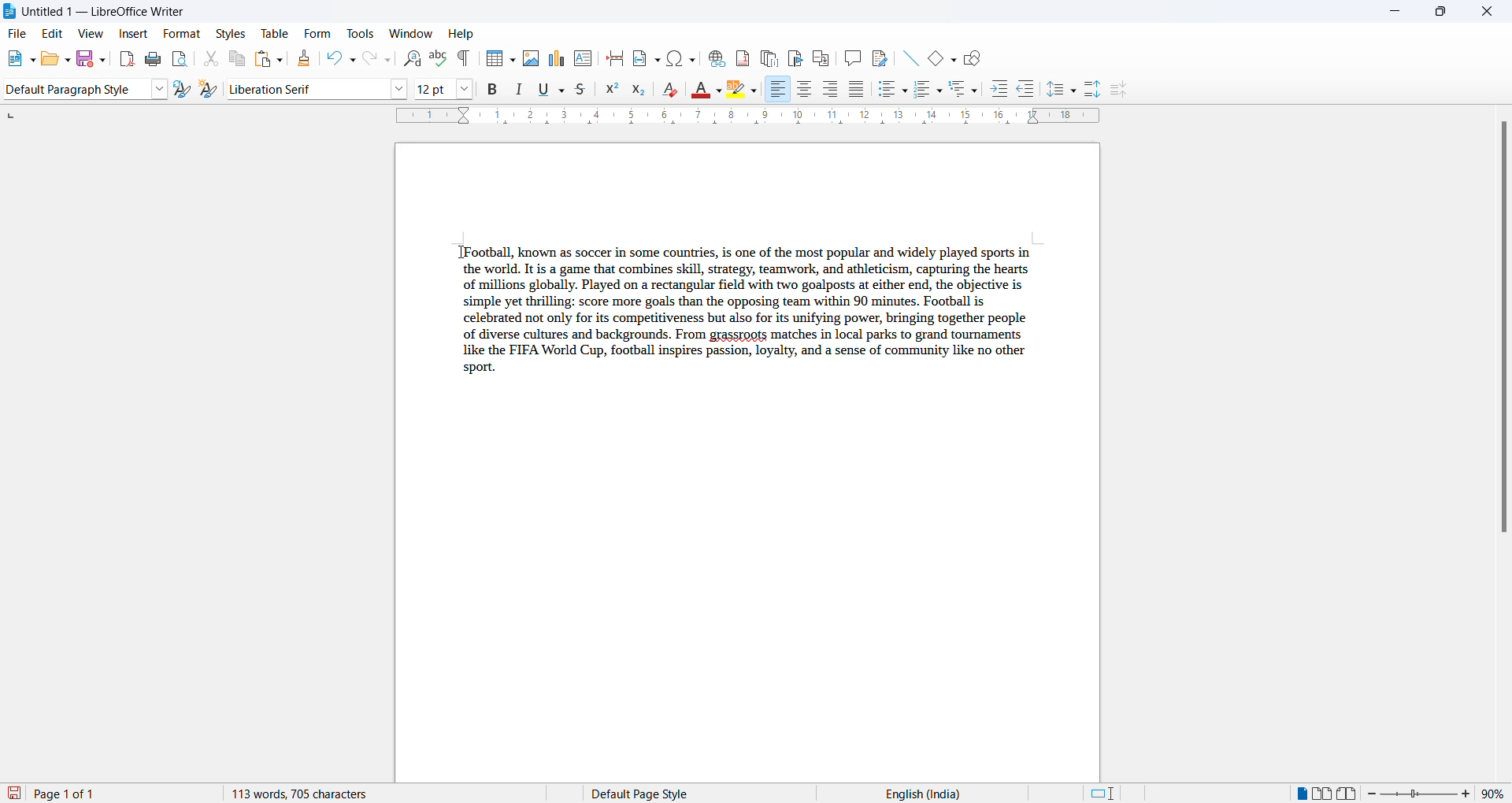 Image resolution: width=1512 pixels, height=803 pixels. What do you see at coordinates (613, 90) in the screenshot?
I see `superscript` at bounding box center [613, 90].